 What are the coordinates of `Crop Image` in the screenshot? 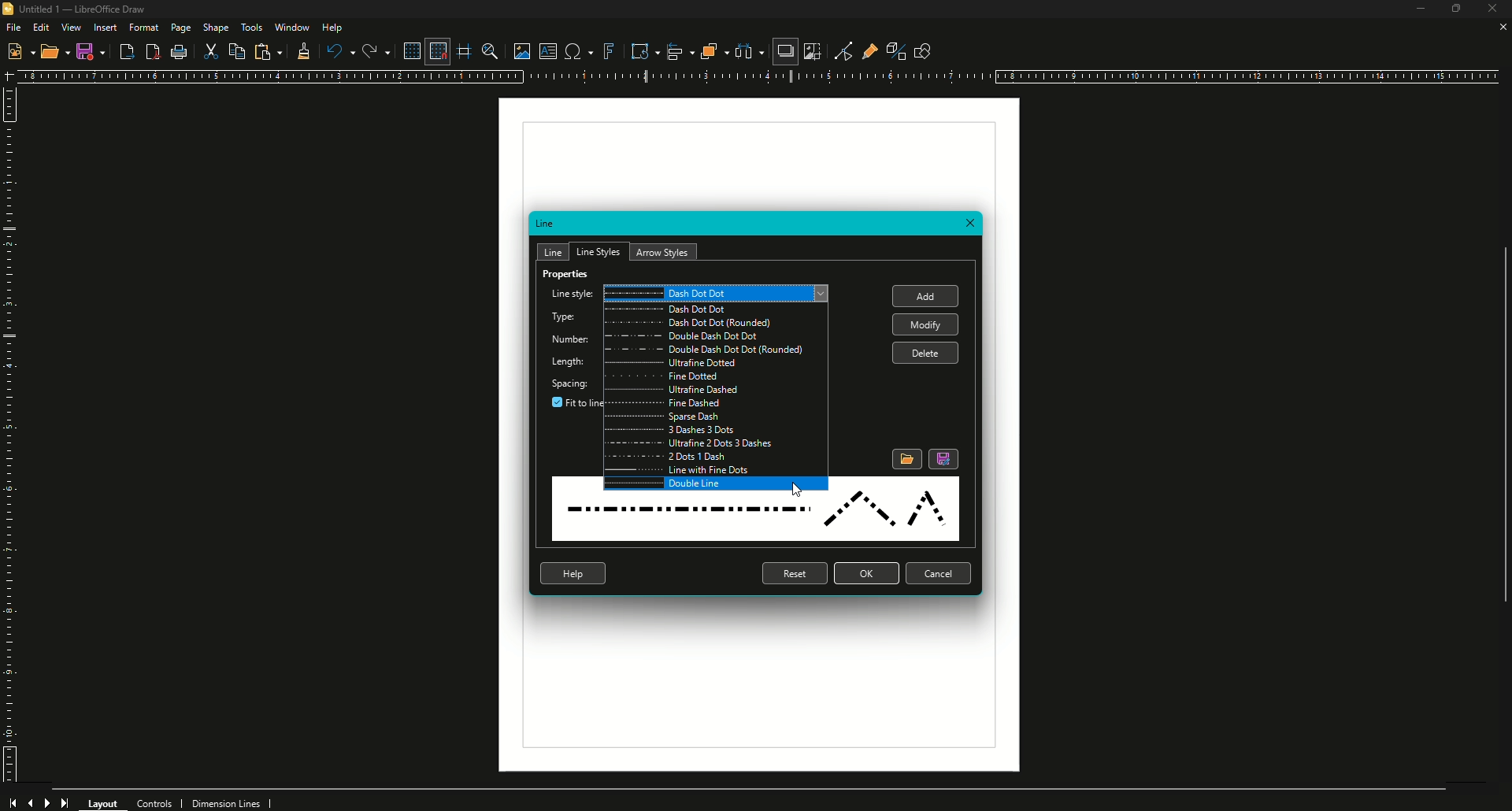 It's located at (812, 51).